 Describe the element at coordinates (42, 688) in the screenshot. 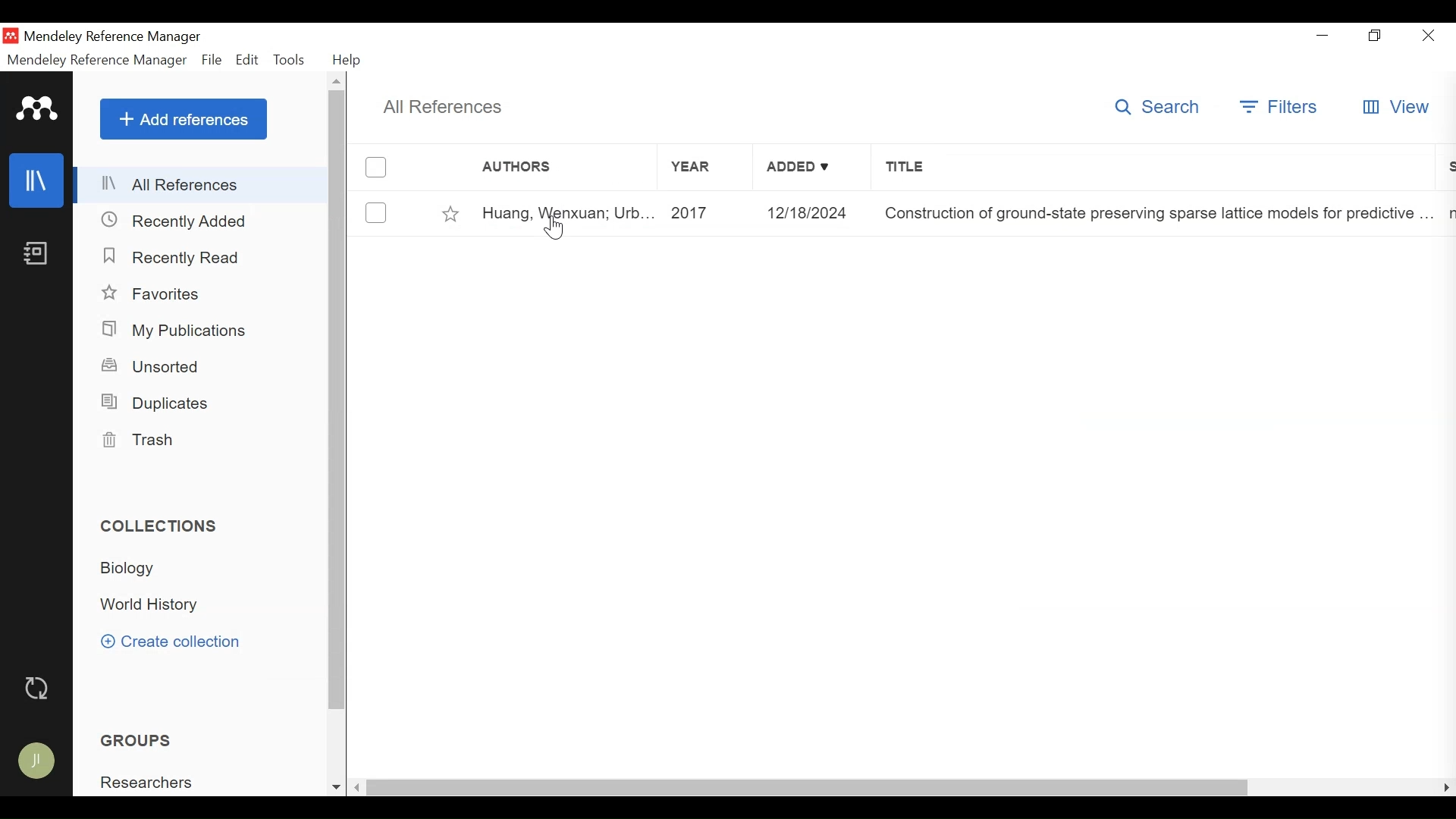

I see `Sync` at that location.